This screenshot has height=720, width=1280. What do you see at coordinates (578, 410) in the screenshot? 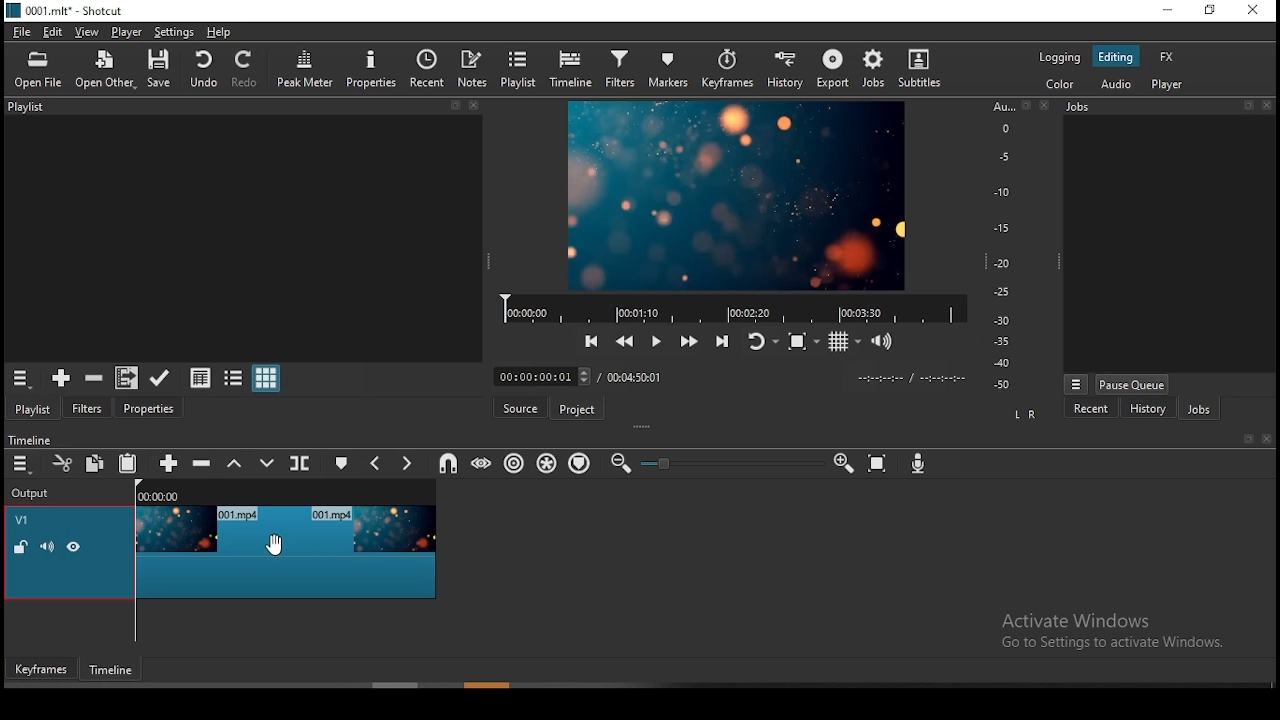
I see `project` at bounding box center [578, 410].